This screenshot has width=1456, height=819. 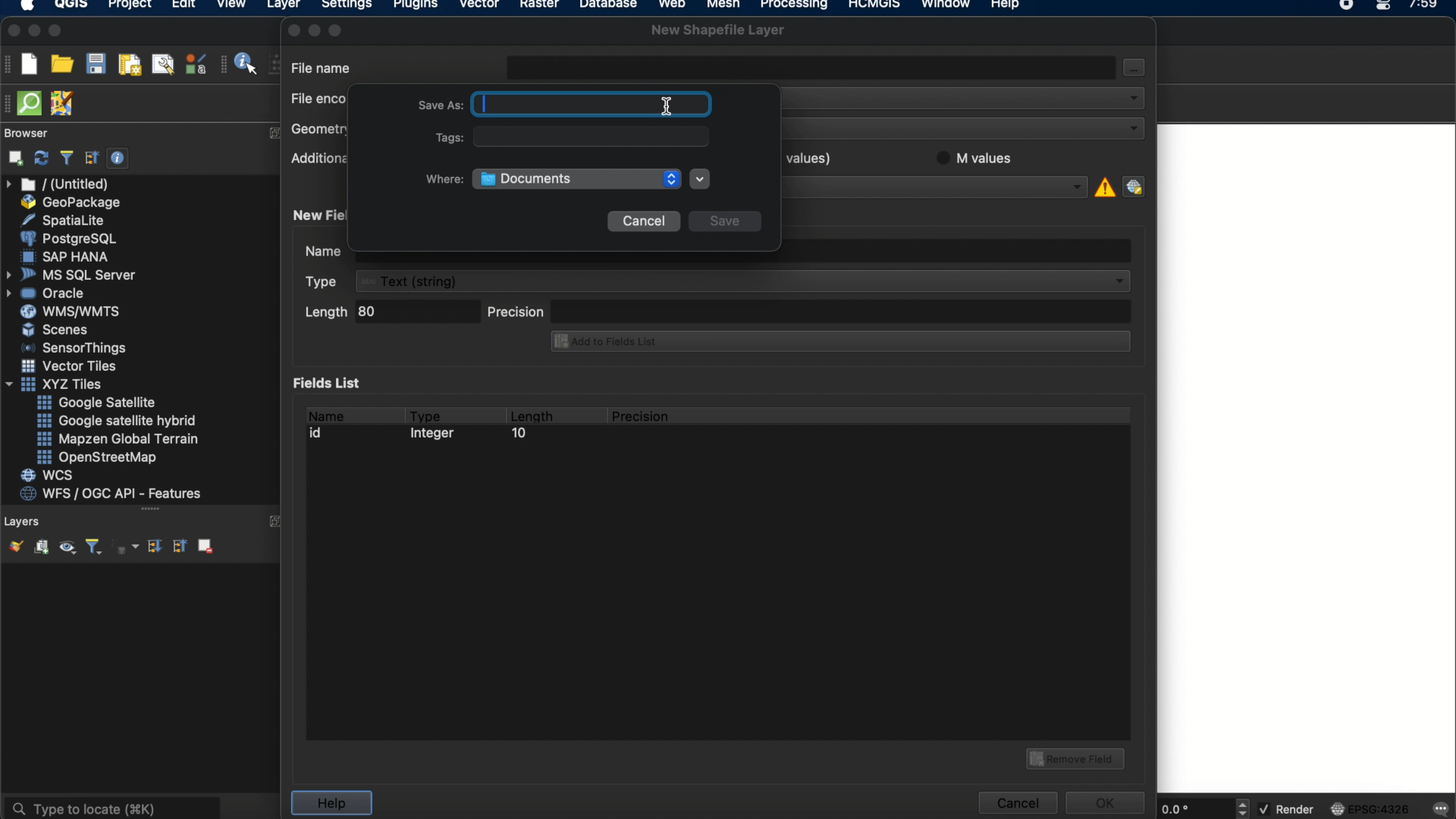 I want to click on hidden toolbar, so click(x=9, y=102).